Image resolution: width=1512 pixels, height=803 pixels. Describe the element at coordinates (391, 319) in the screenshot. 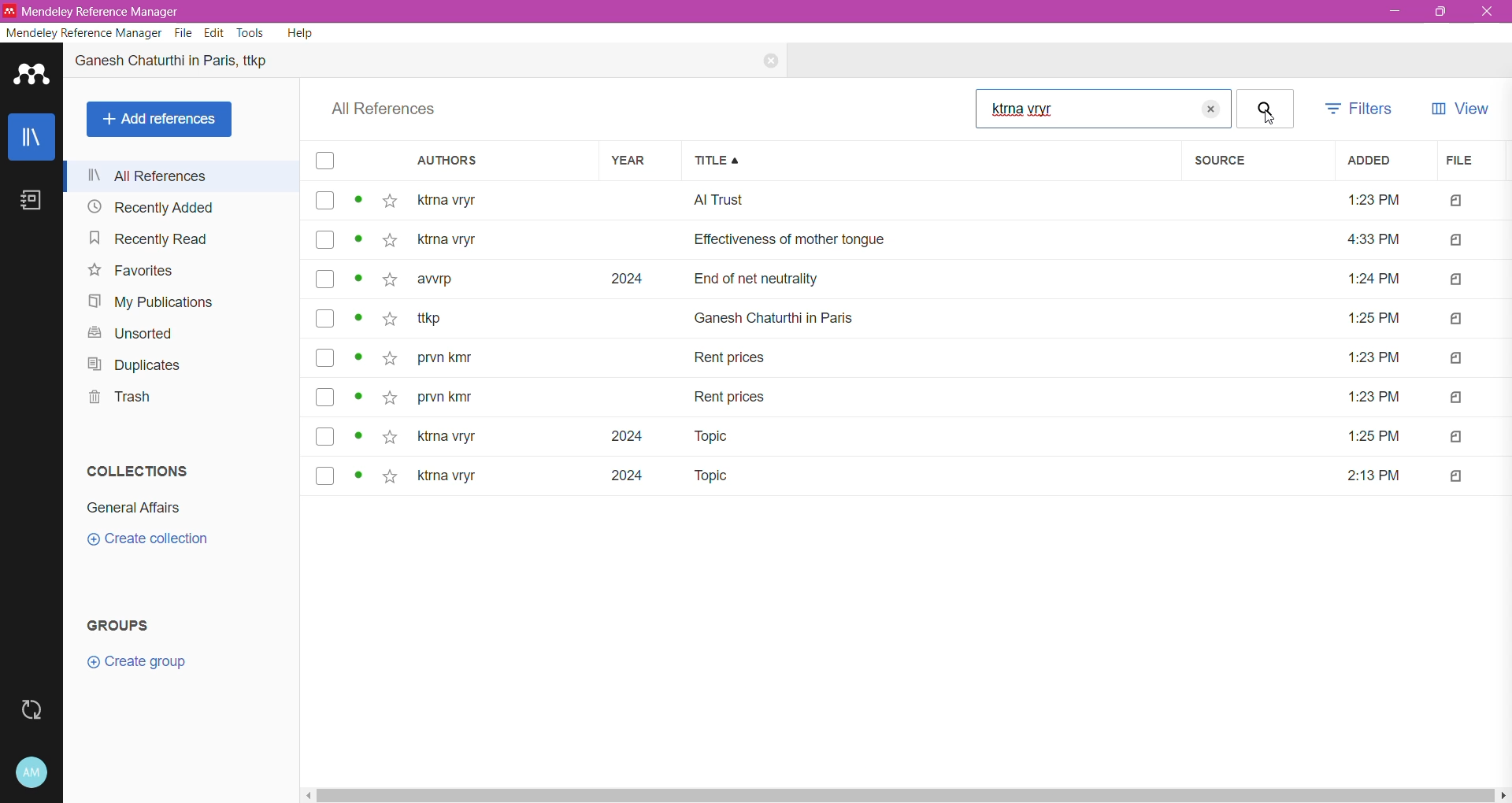

I see `add to favorites` at that location.